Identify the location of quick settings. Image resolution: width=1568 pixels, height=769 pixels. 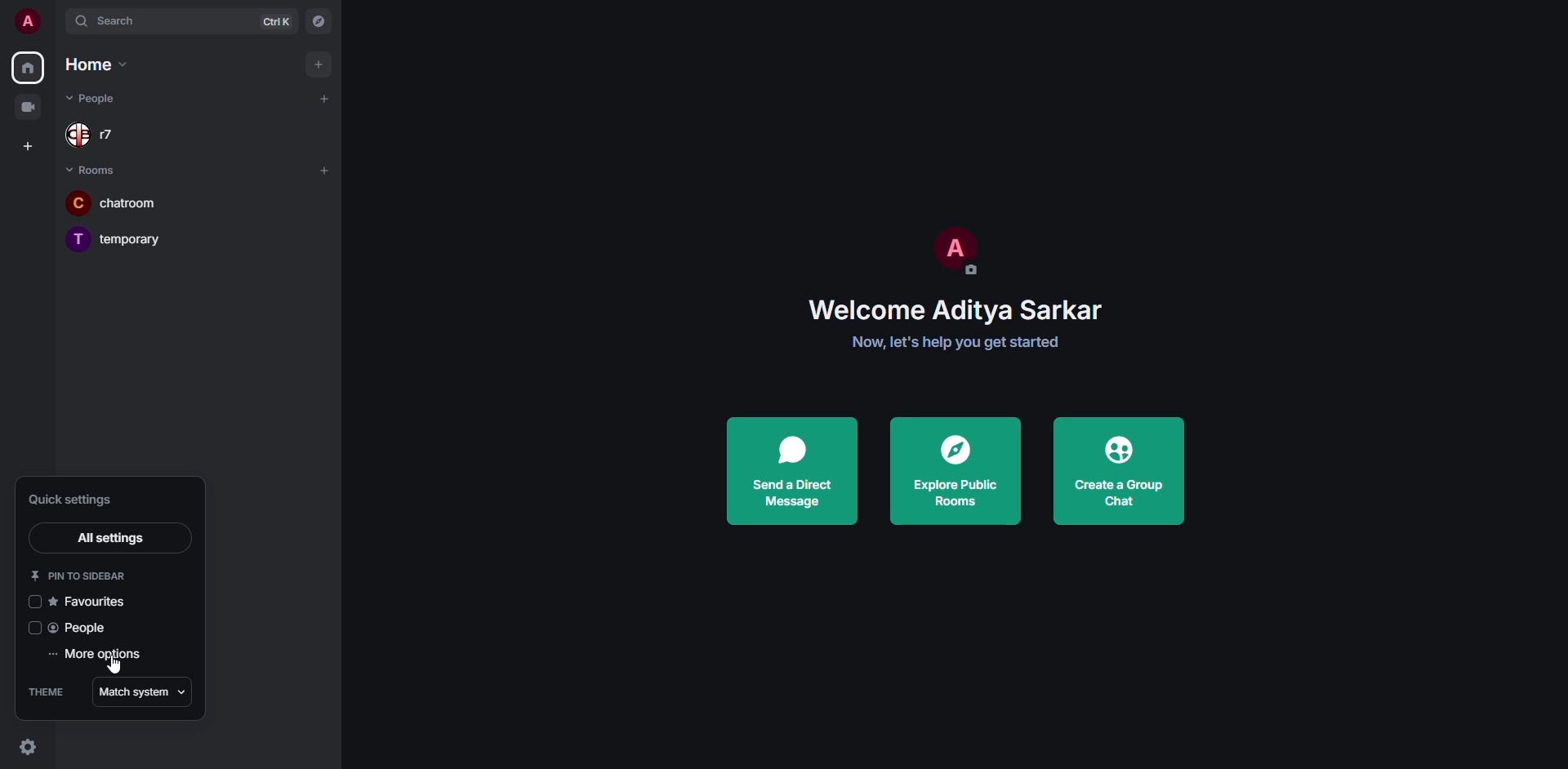
(79, 500).